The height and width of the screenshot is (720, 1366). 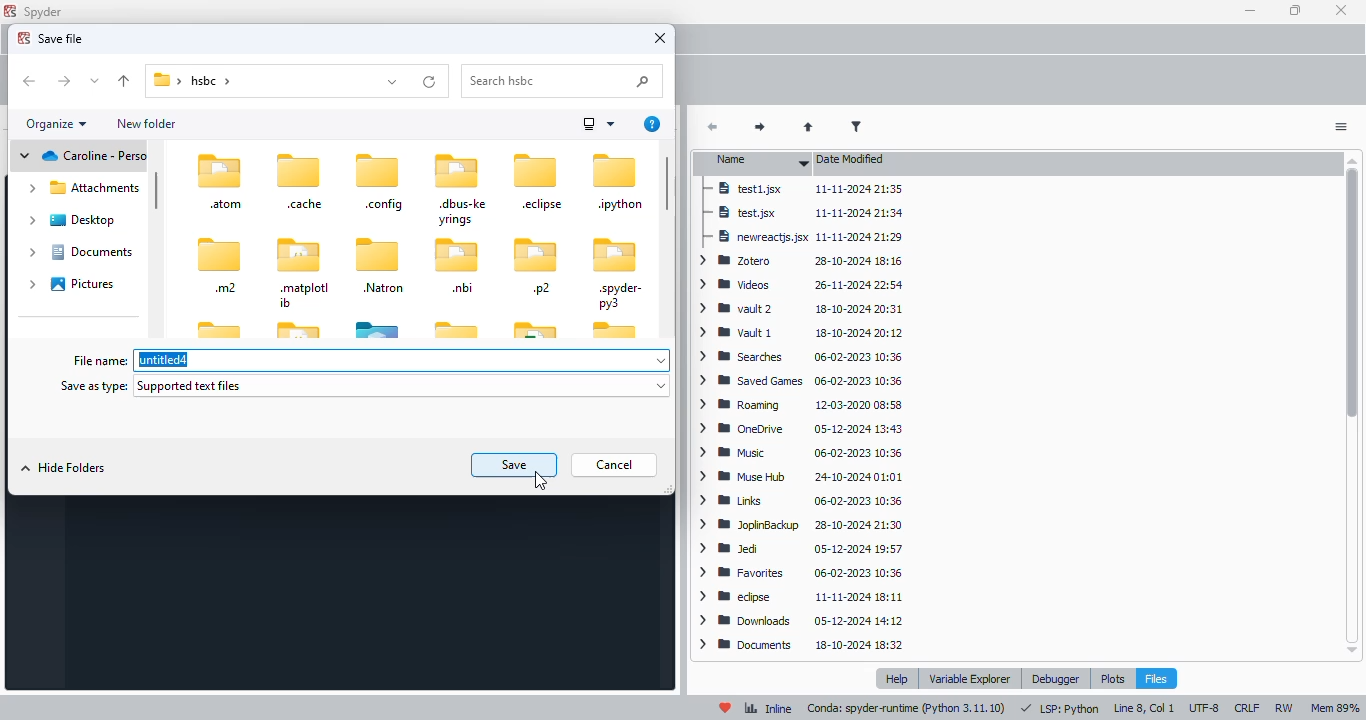 I want to click on .dbus-keyrings, so click(x=464, y=188).